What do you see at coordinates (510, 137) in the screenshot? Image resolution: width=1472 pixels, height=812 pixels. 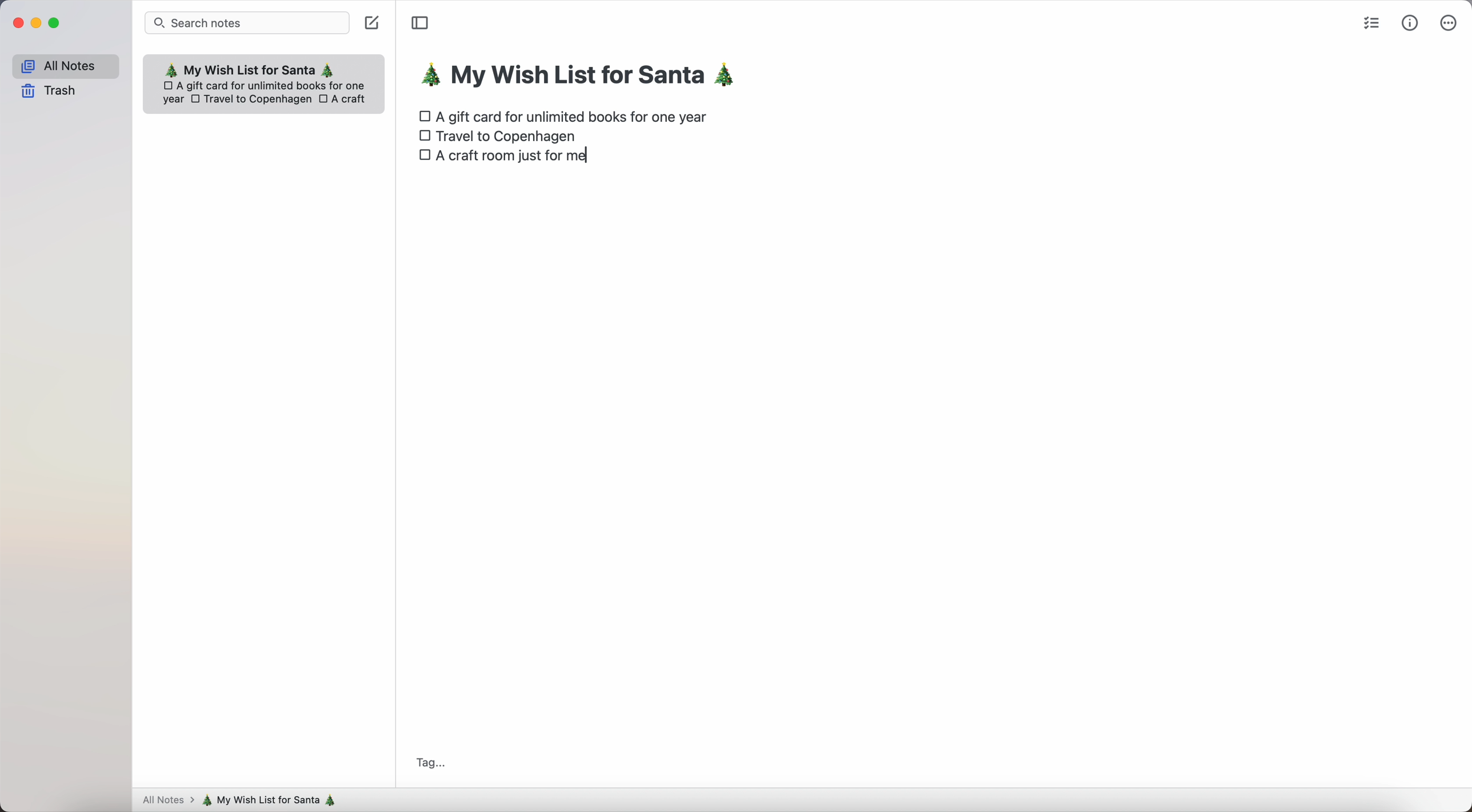 I see `Travel to Copenhagen` at bounding box center [510, 137].